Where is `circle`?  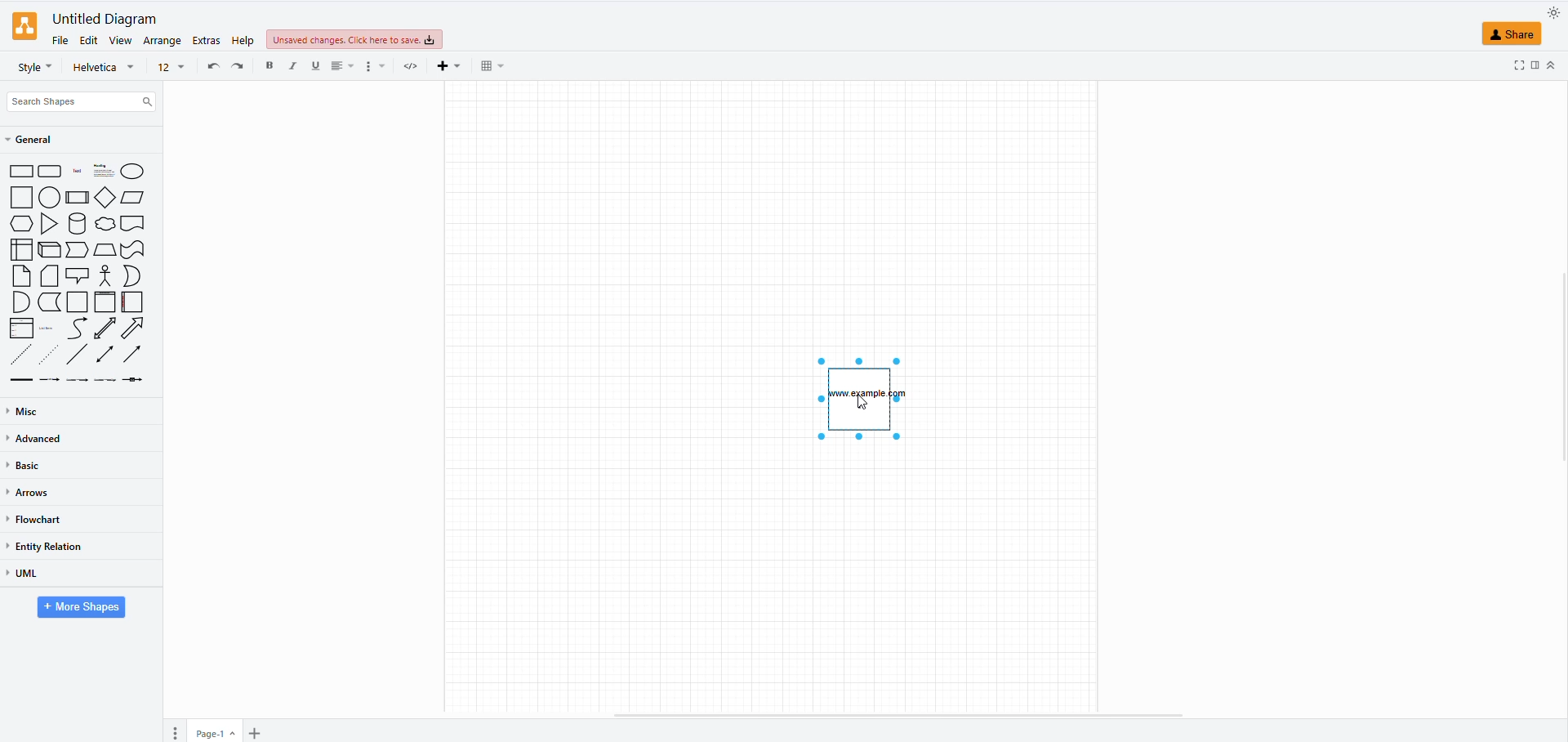 circle is located at coordinates (49, 199).